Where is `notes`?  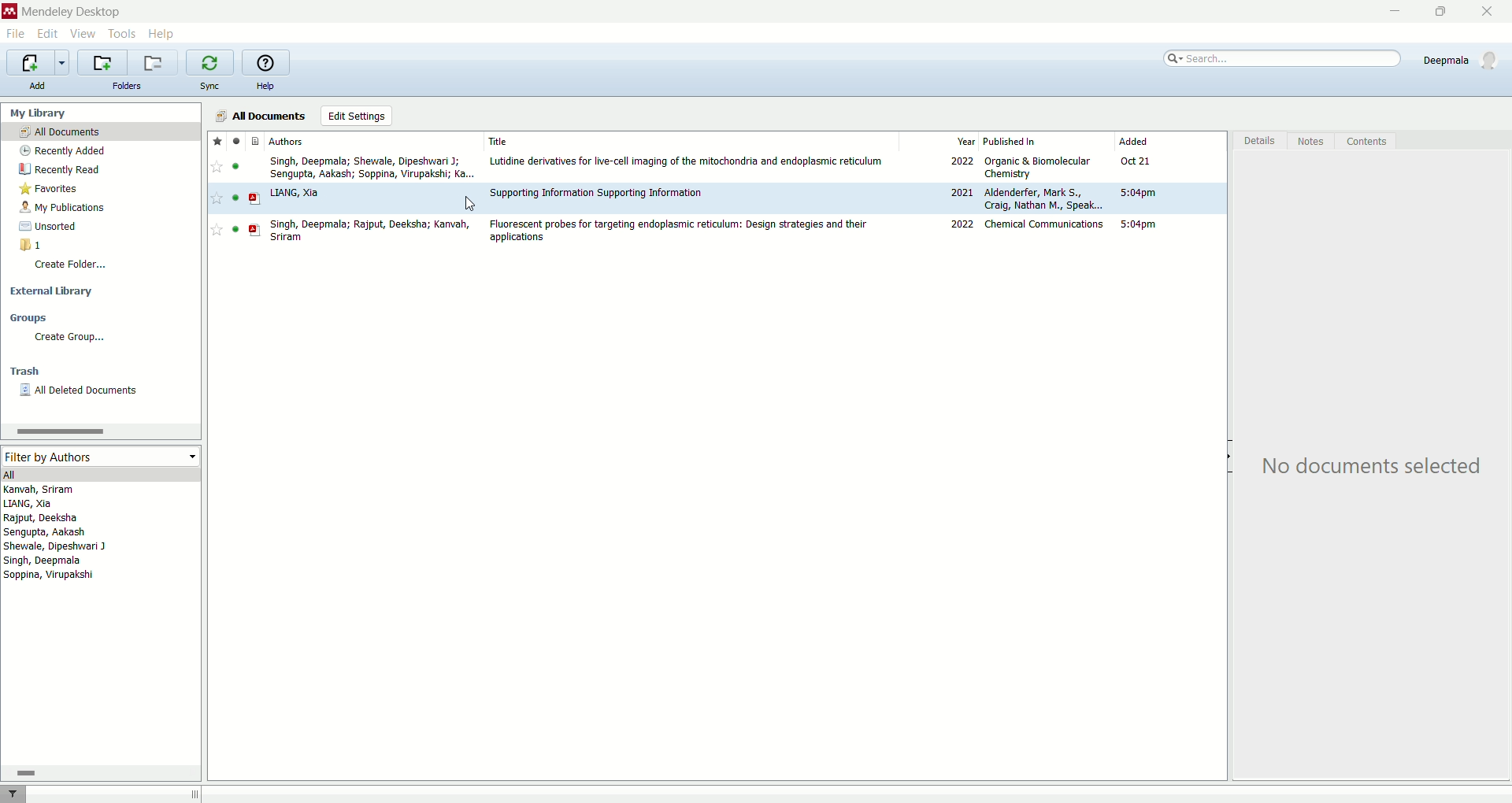 notes is located at coordinates (1314, 142).